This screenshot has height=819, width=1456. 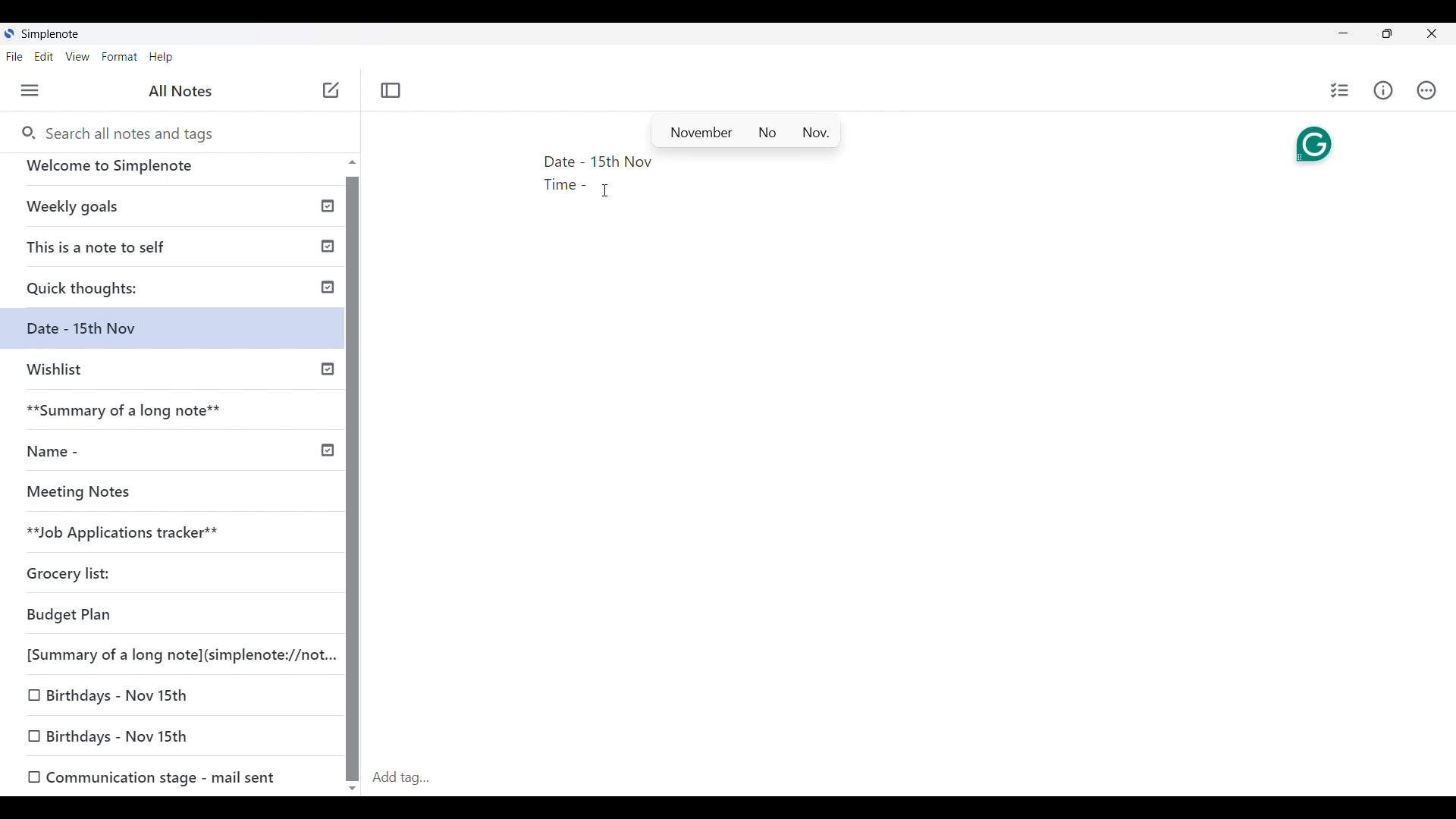 What do you see at coordinates (352, 479) in the screenshot?
I see `Vertical slide bar for left panel` at bounding box center [352, 479].